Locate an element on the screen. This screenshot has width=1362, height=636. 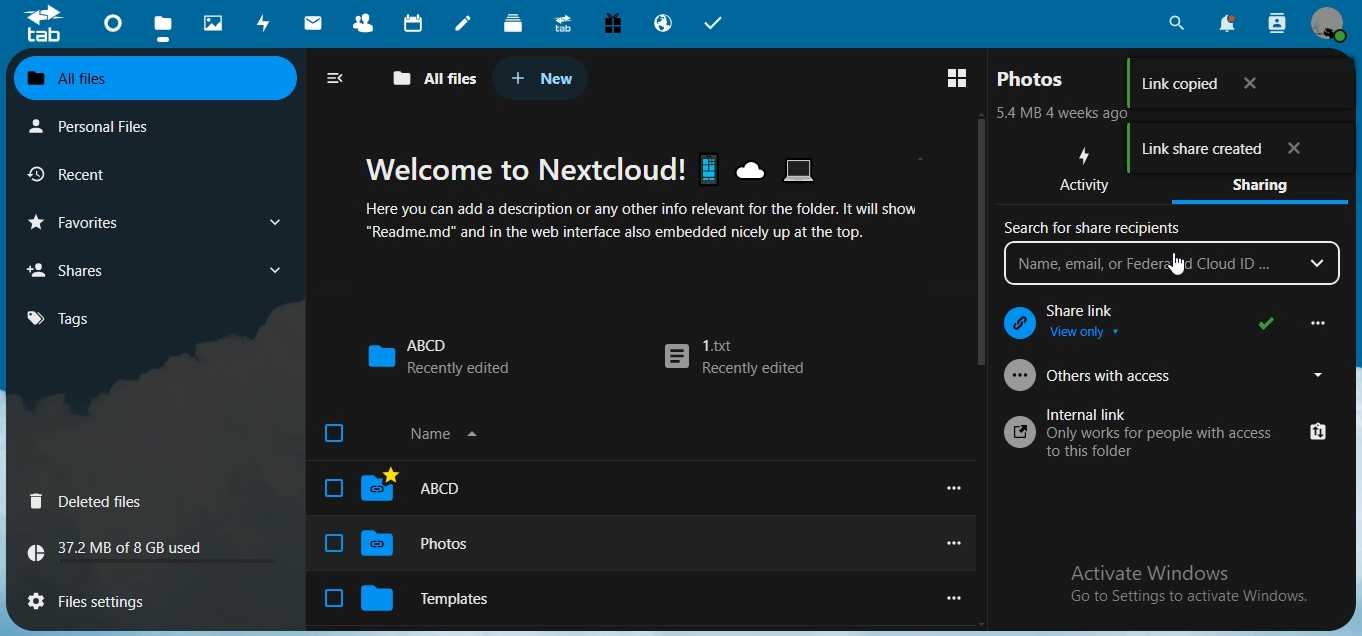
deleted files is located at coordinates (91, 503).